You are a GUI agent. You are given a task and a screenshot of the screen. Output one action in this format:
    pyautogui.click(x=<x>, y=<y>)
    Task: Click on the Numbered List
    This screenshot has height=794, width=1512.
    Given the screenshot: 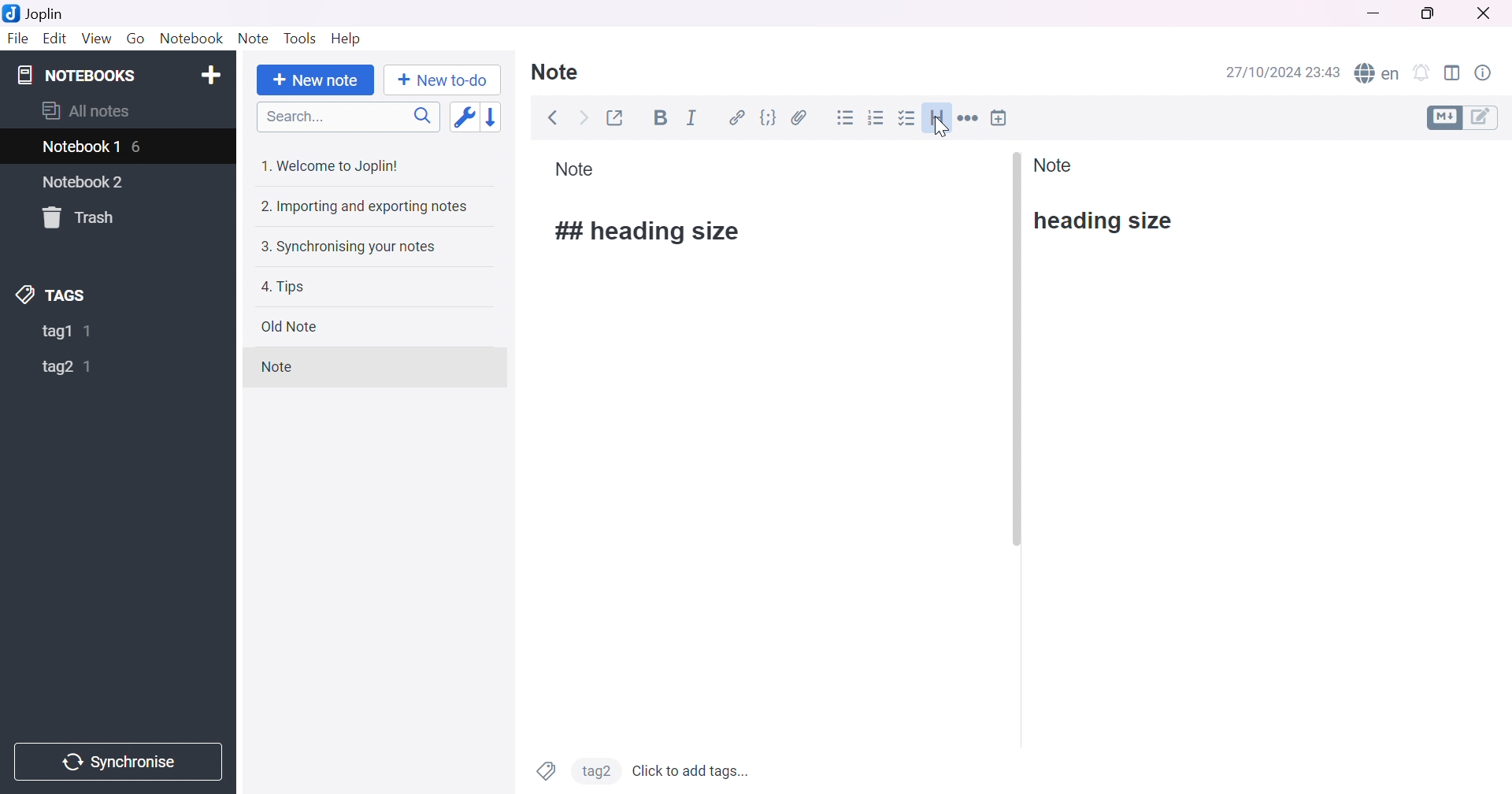 What is the action you would take?
    pyautogui.click(x=877, y=117)
    